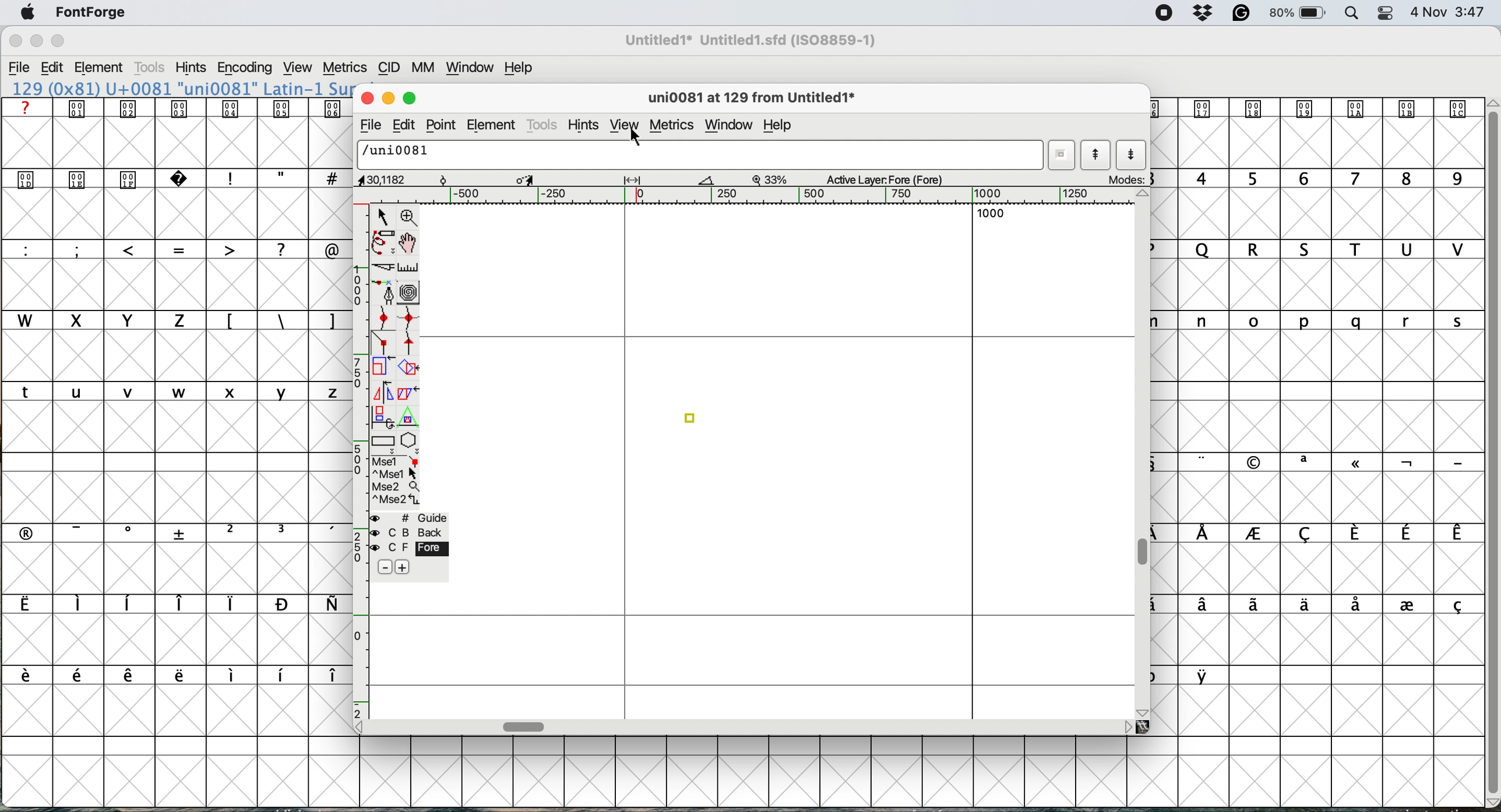  Describe the element at coordinates (444, 180) in the screenshot. I see `Rotate Point Tool` at that location.